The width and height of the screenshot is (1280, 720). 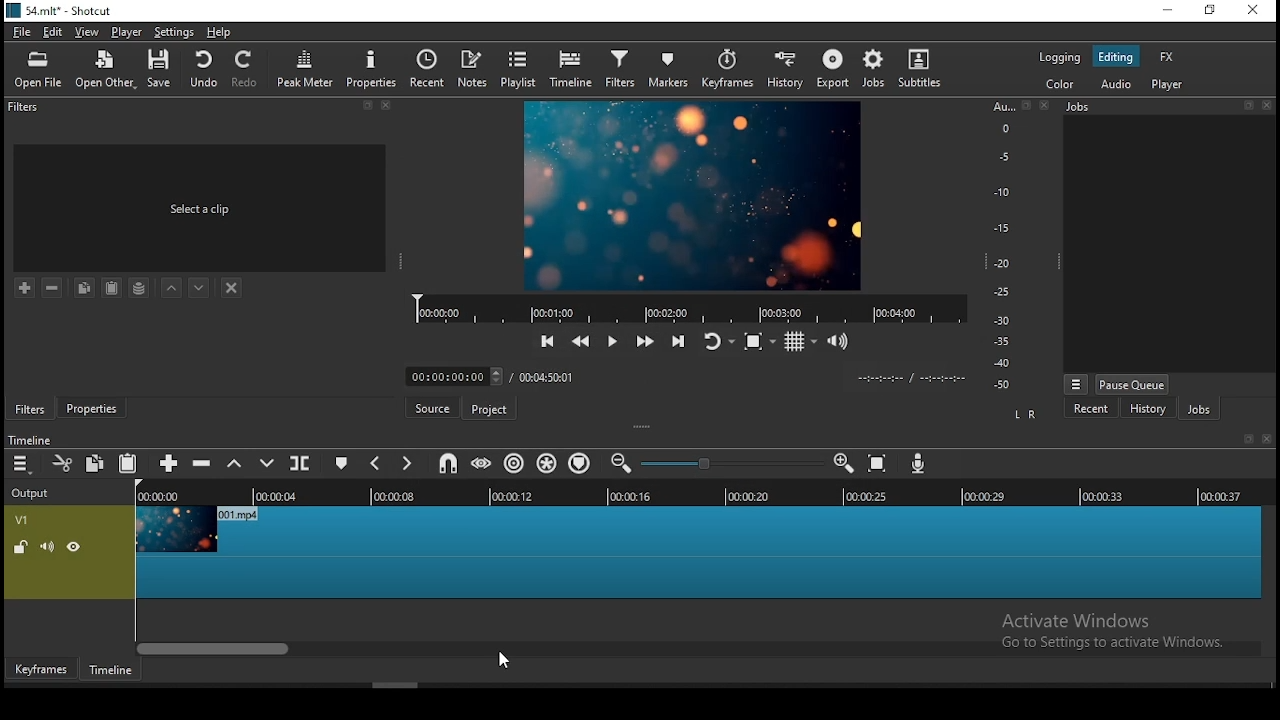 I want to click on ripple delete, so click(x=201, y=462).